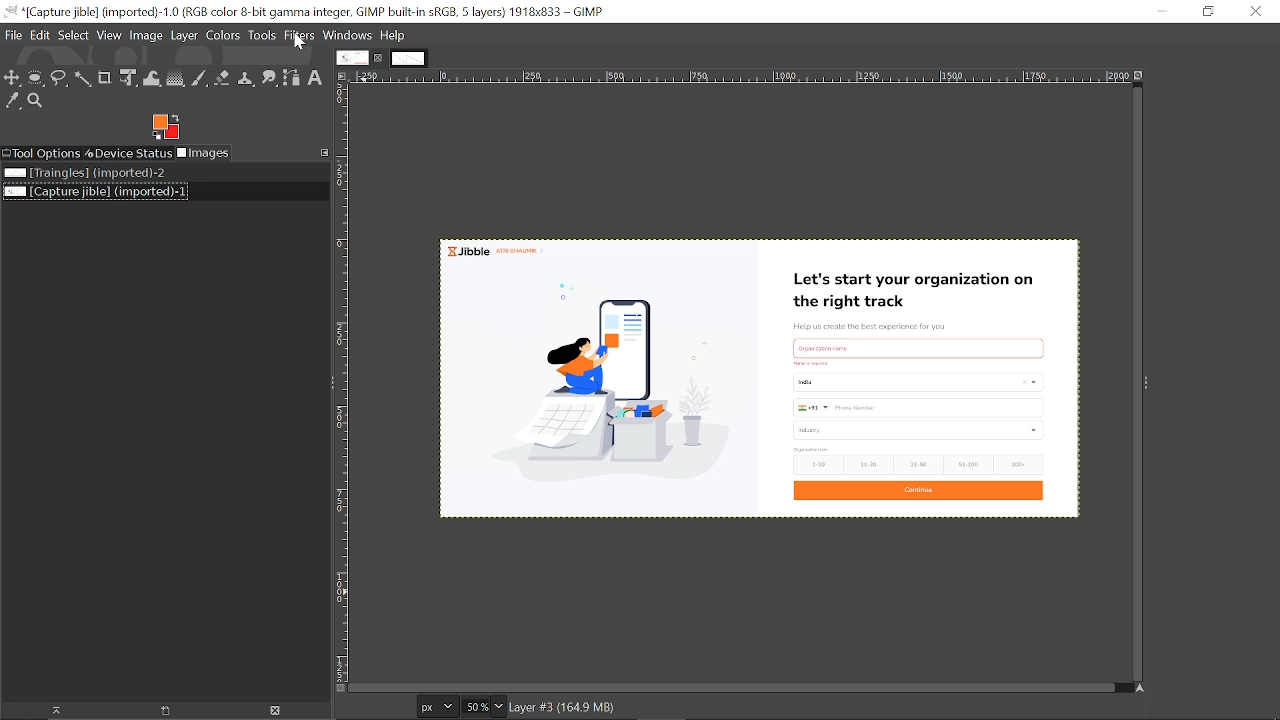  I want to click on Tool options, so click(42, 153).